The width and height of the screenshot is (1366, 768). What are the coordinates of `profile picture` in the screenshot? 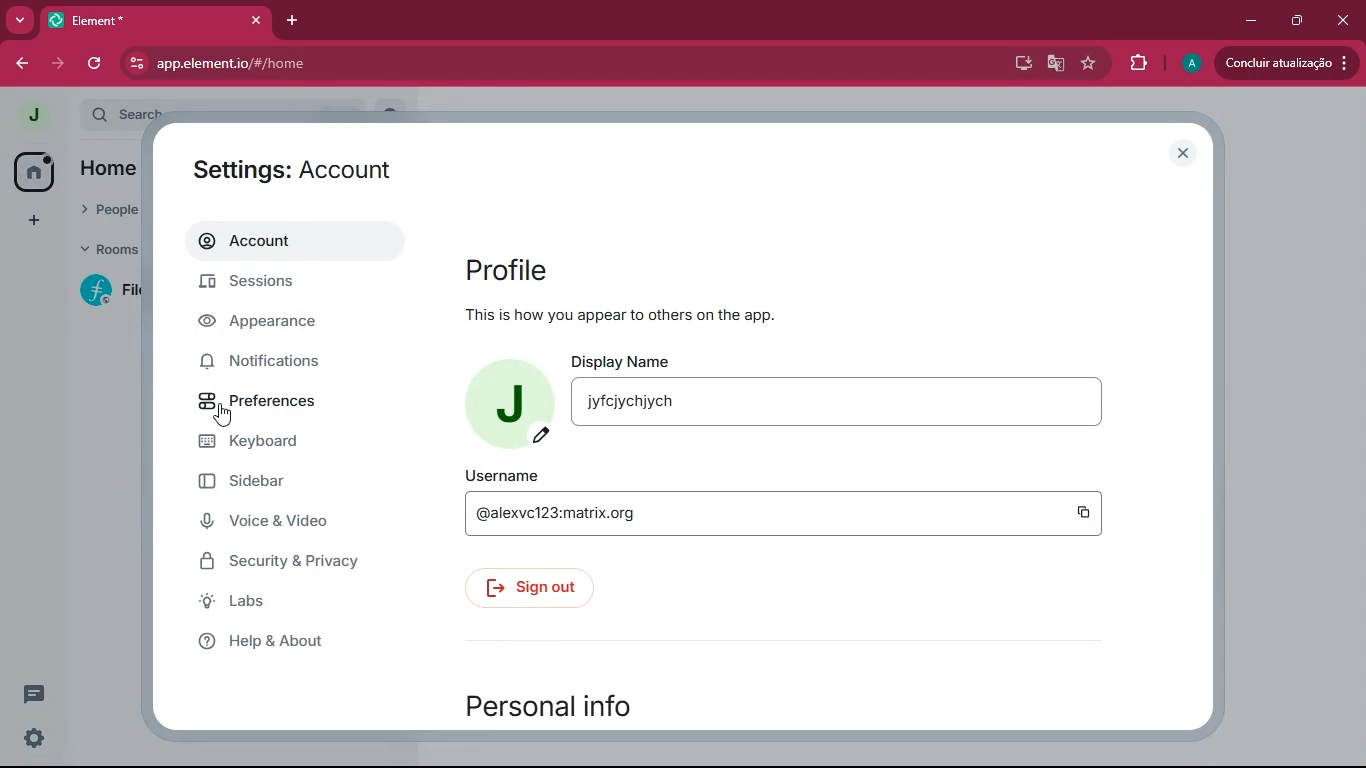 It's located at (507, 406).